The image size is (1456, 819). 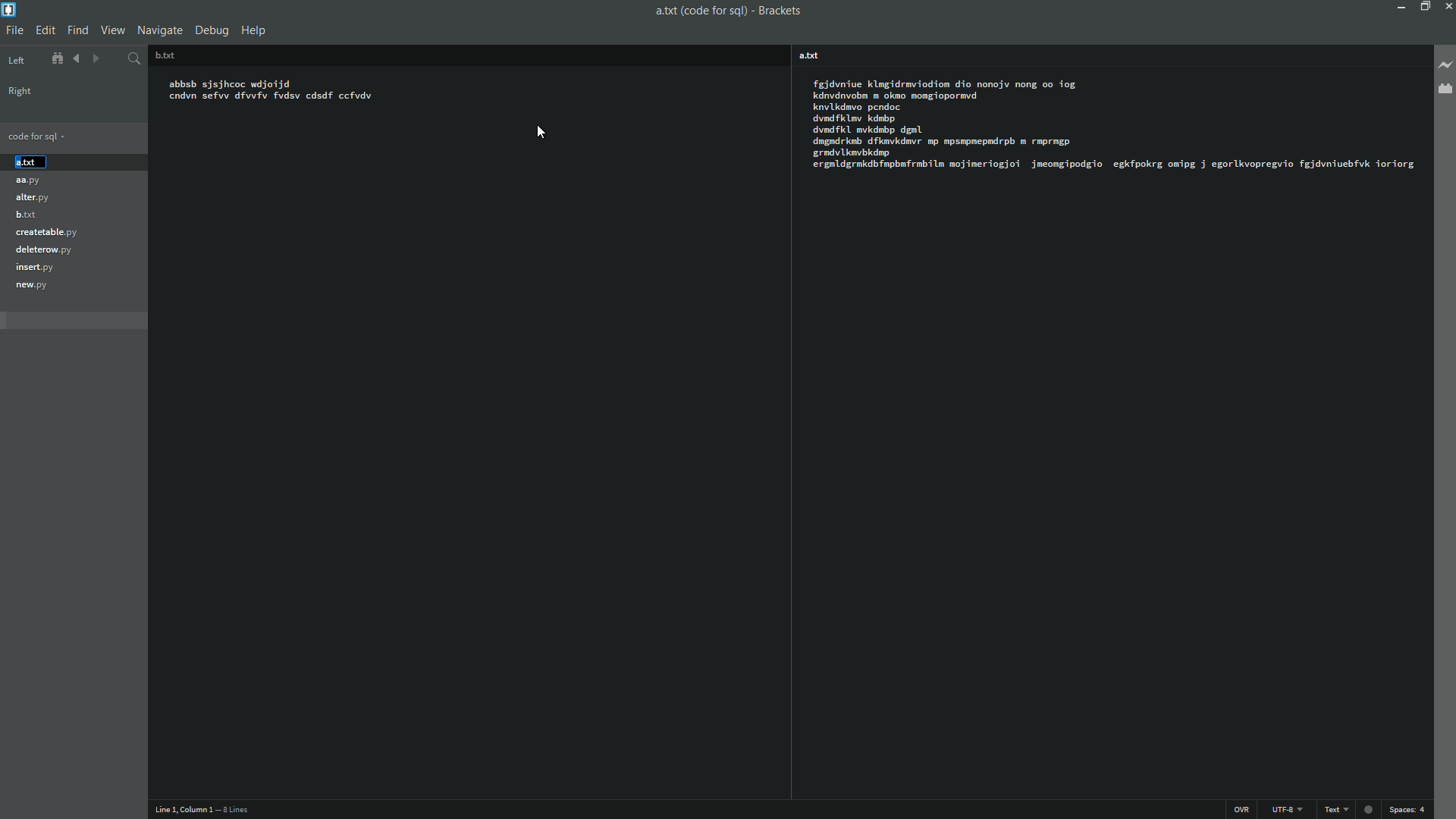 What do you see at coordinates (45, 30) in the screenshot?
I see `edit menu` at bounding box center [45, 30].